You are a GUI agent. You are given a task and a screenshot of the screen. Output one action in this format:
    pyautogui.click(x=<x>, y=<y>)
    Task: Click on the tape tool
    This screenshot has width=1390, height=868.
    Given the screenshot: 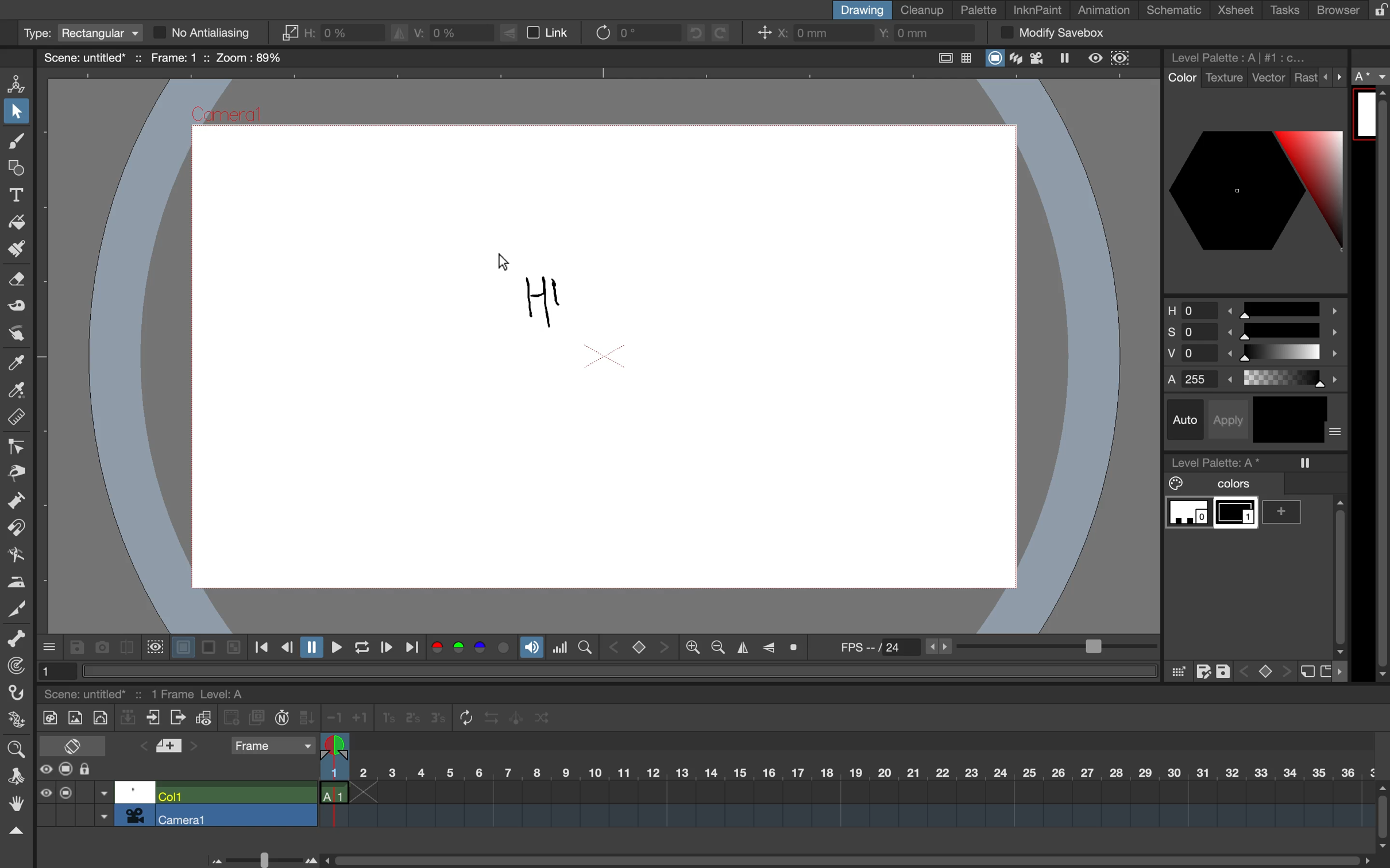 What is the action you would take?
    pyautogui.click(x=14, y=308)
    